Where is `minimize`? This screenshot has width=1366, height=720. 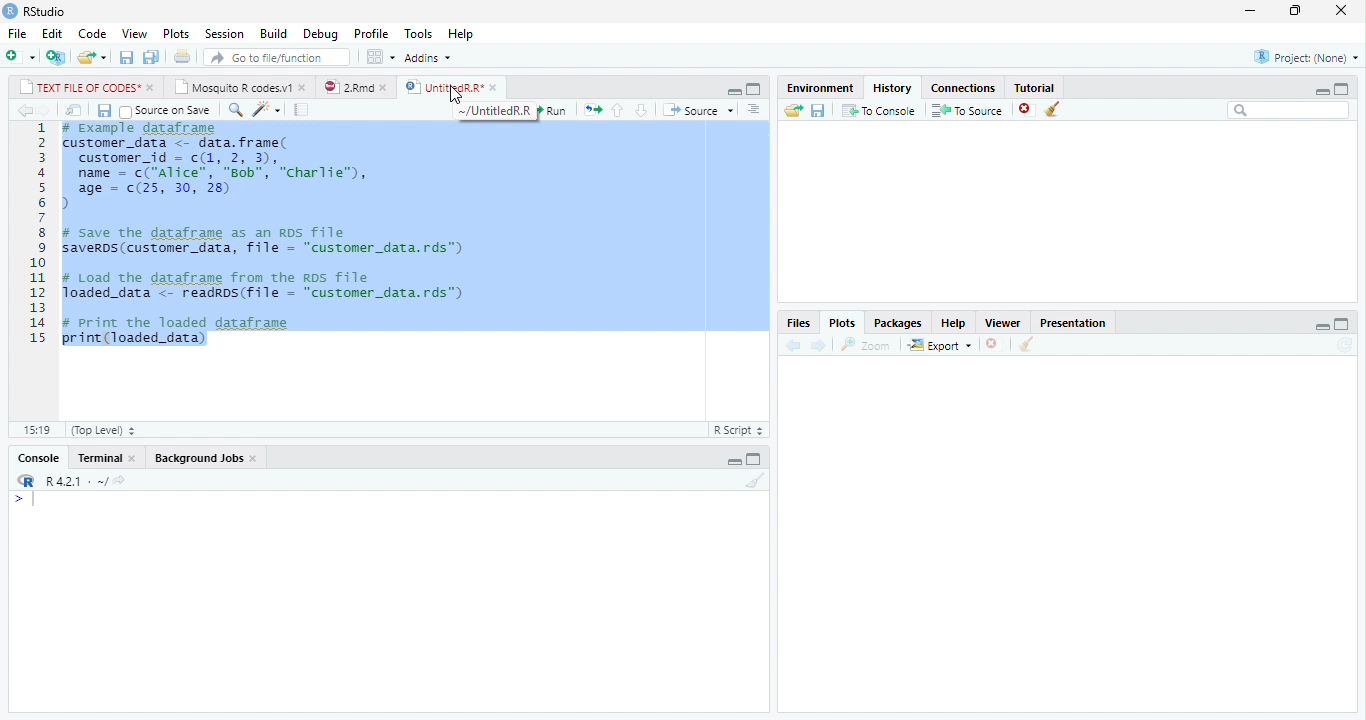
minimize is located at coordinates (1250, 10).